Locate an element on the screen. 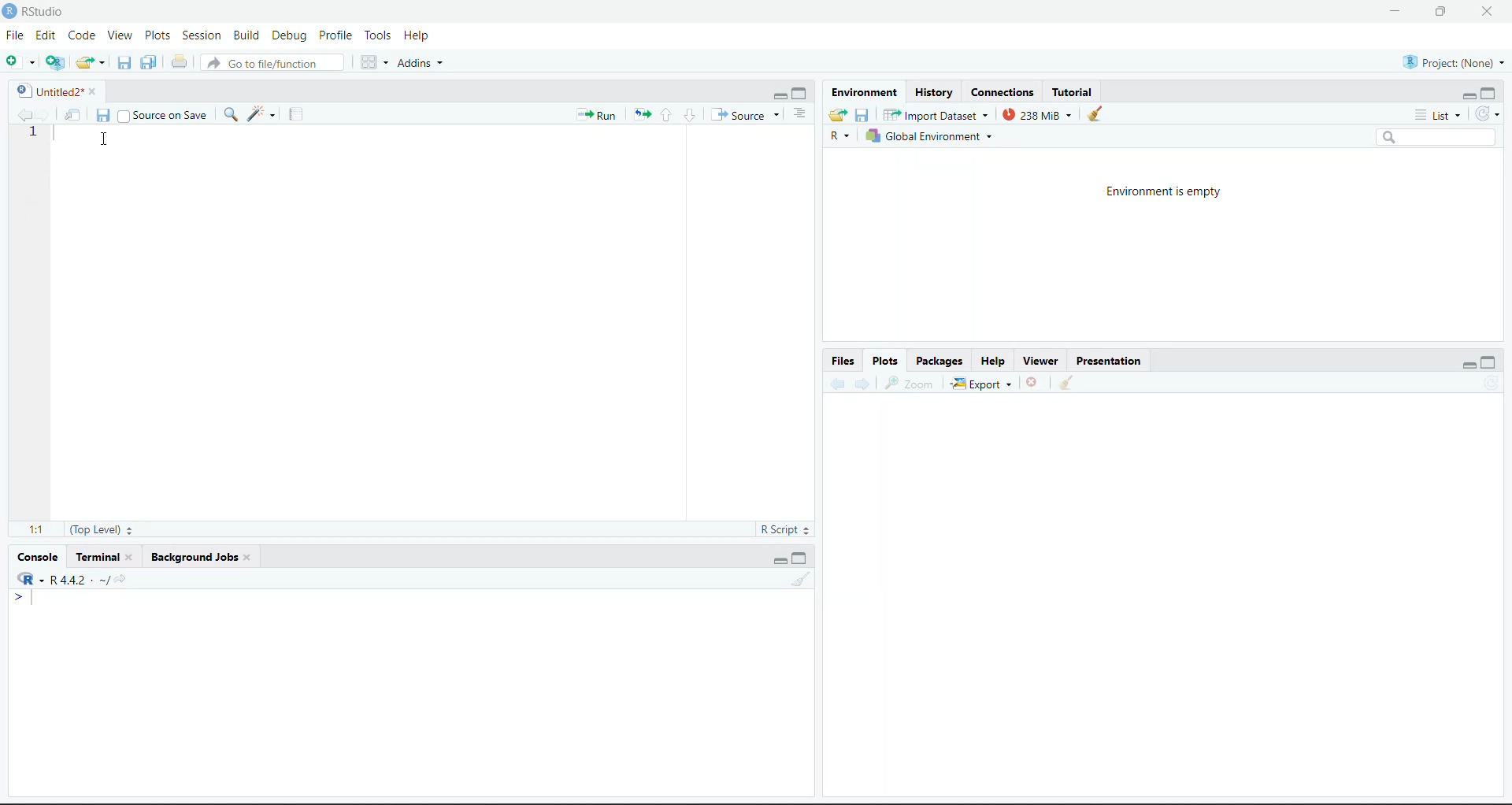  Environment is located at coordinates (864, 93).